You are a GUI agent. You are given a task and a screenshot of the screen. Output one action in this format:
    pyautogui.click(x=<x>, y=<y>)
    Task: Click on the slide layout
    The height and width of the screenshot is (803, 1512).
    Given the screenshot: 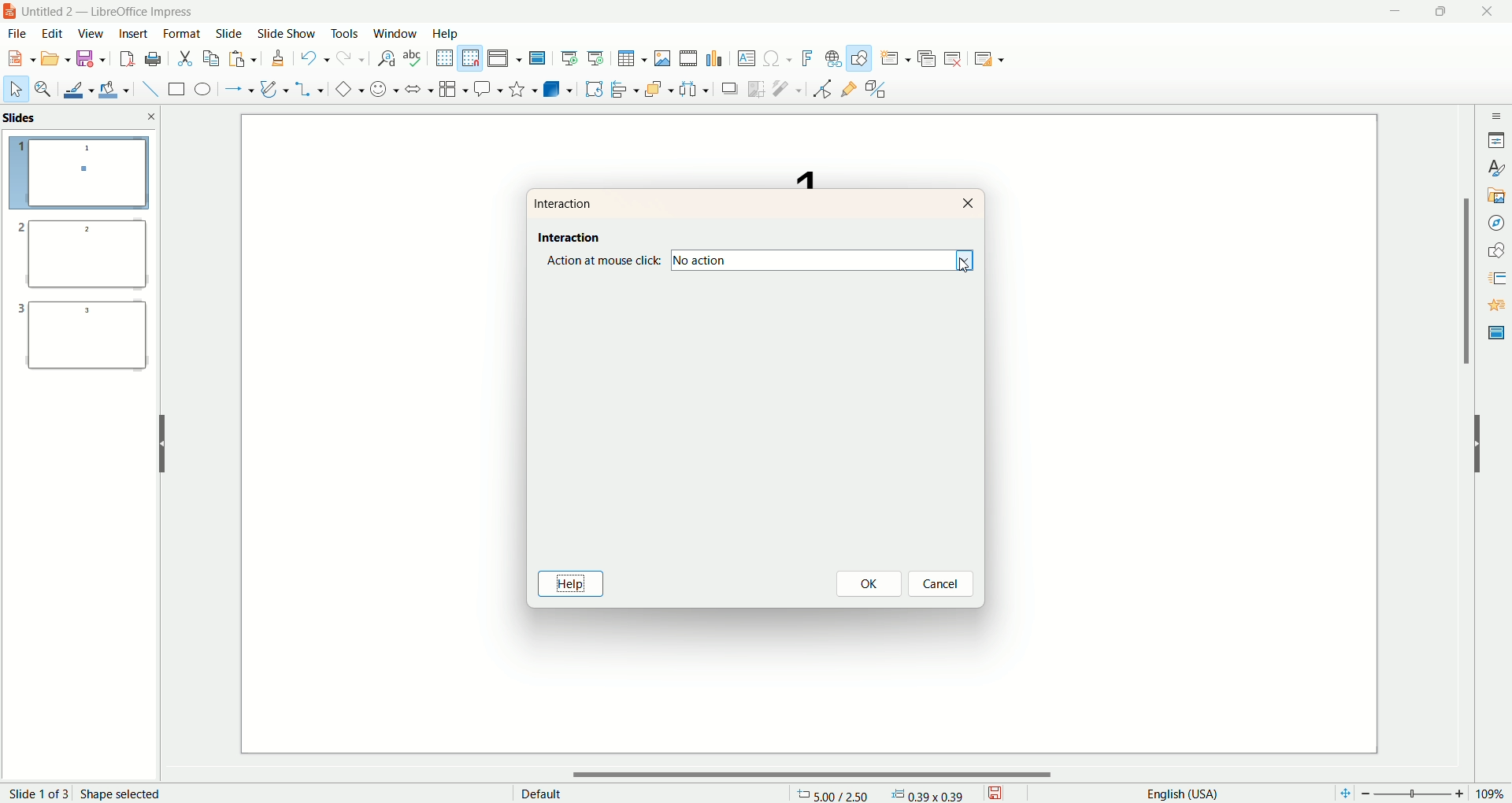 What is the action you would take?
    pyautogui.click(x=999, y=61)
    